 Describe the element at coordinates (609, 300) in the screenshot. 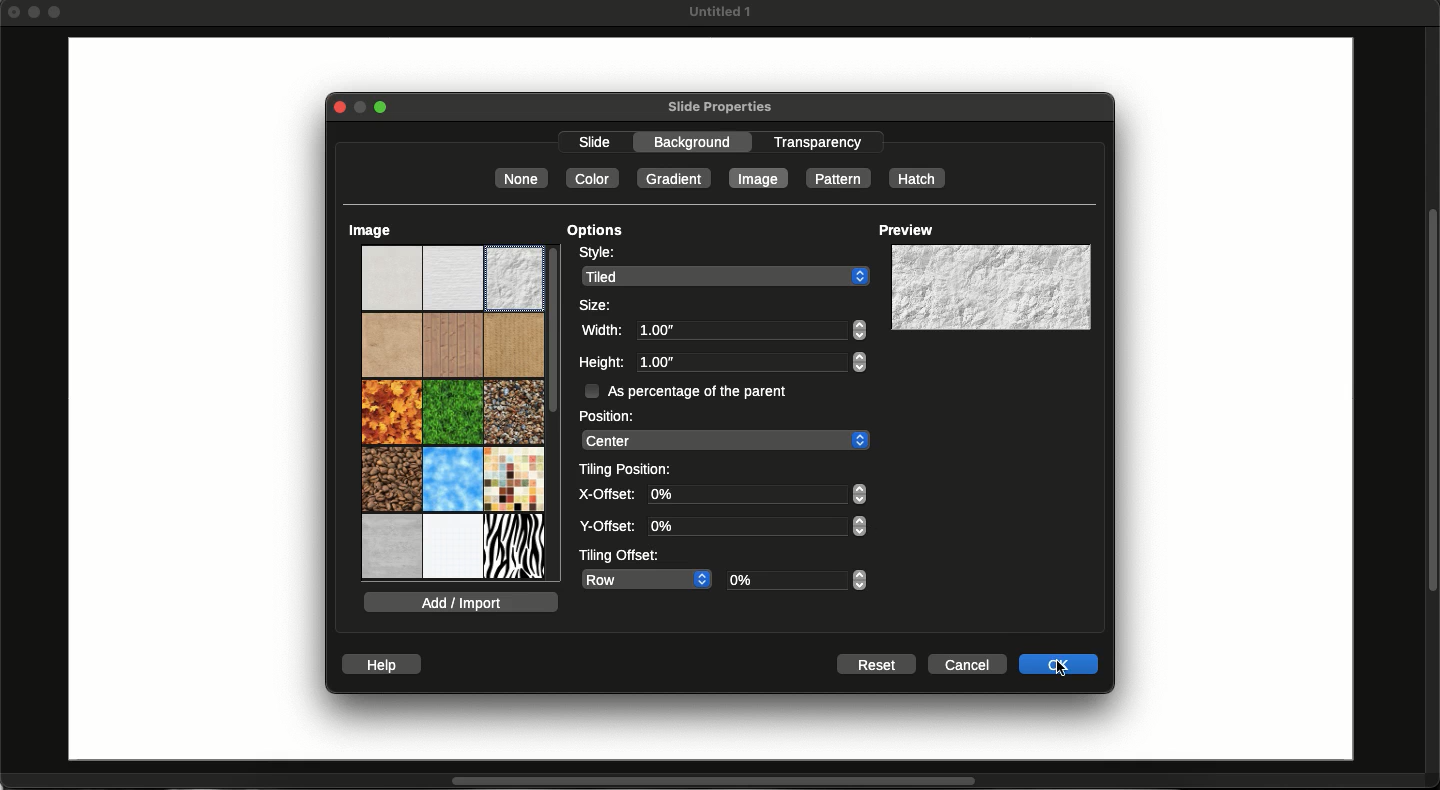

I see `Paper crumpled` at that location.